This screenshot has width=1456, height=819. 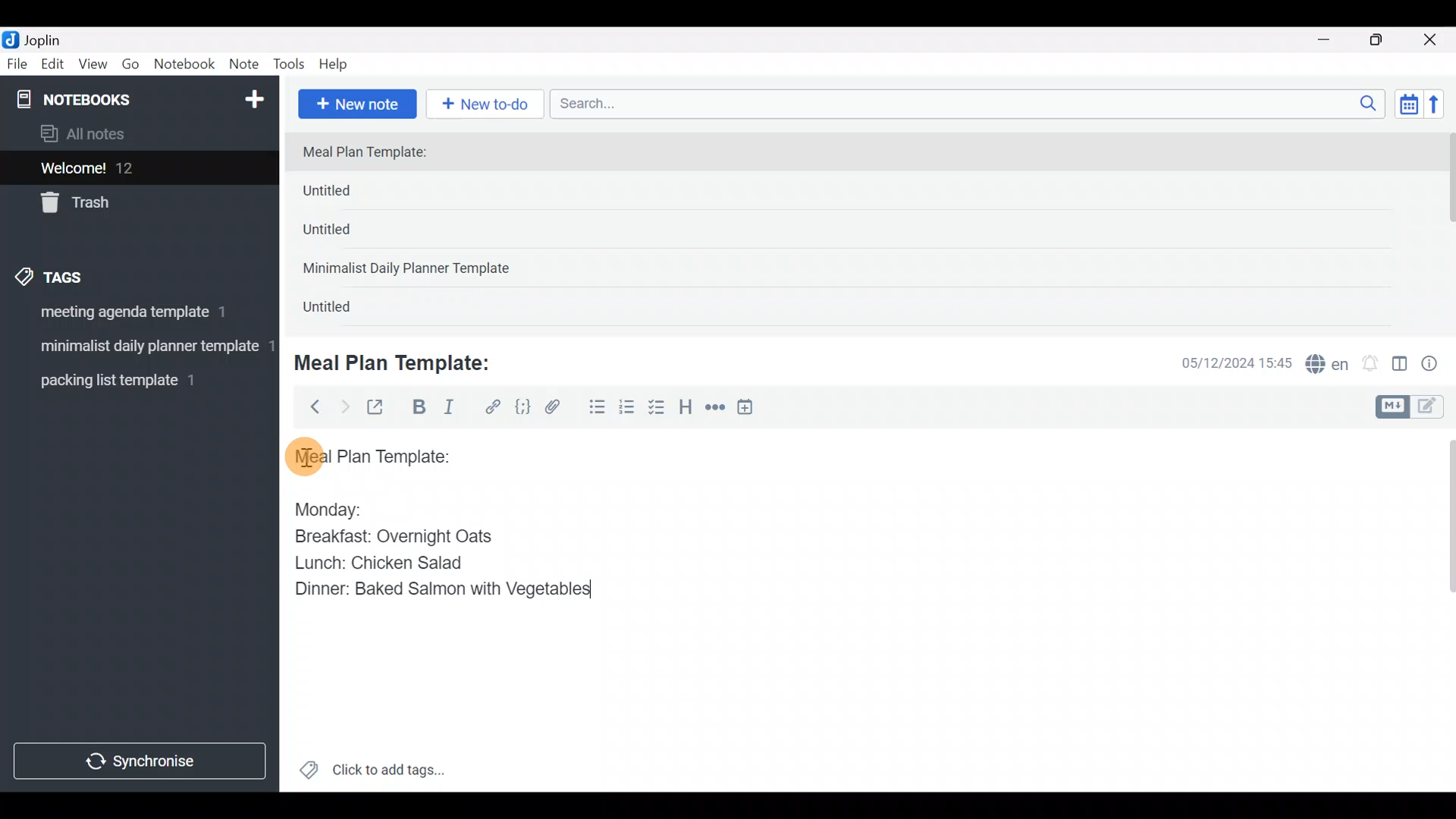 What do you see at coordinates (391, 538) in the screenshot?
I see `Breakfast: Overnight Oats` at bounding box center [391, 538].